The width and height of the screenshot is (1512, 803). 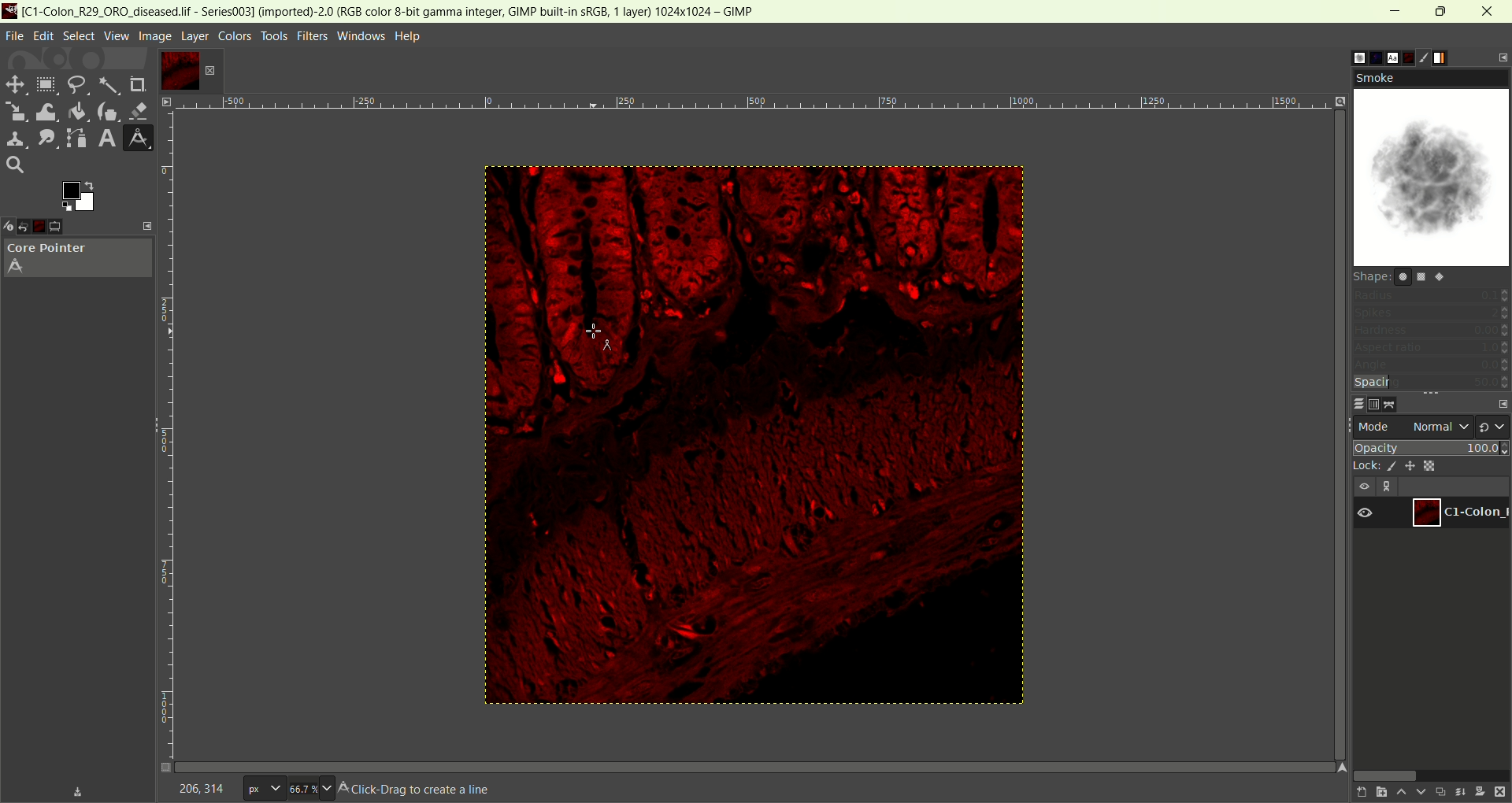 I want to click on font, so click(x=1385, y=57).